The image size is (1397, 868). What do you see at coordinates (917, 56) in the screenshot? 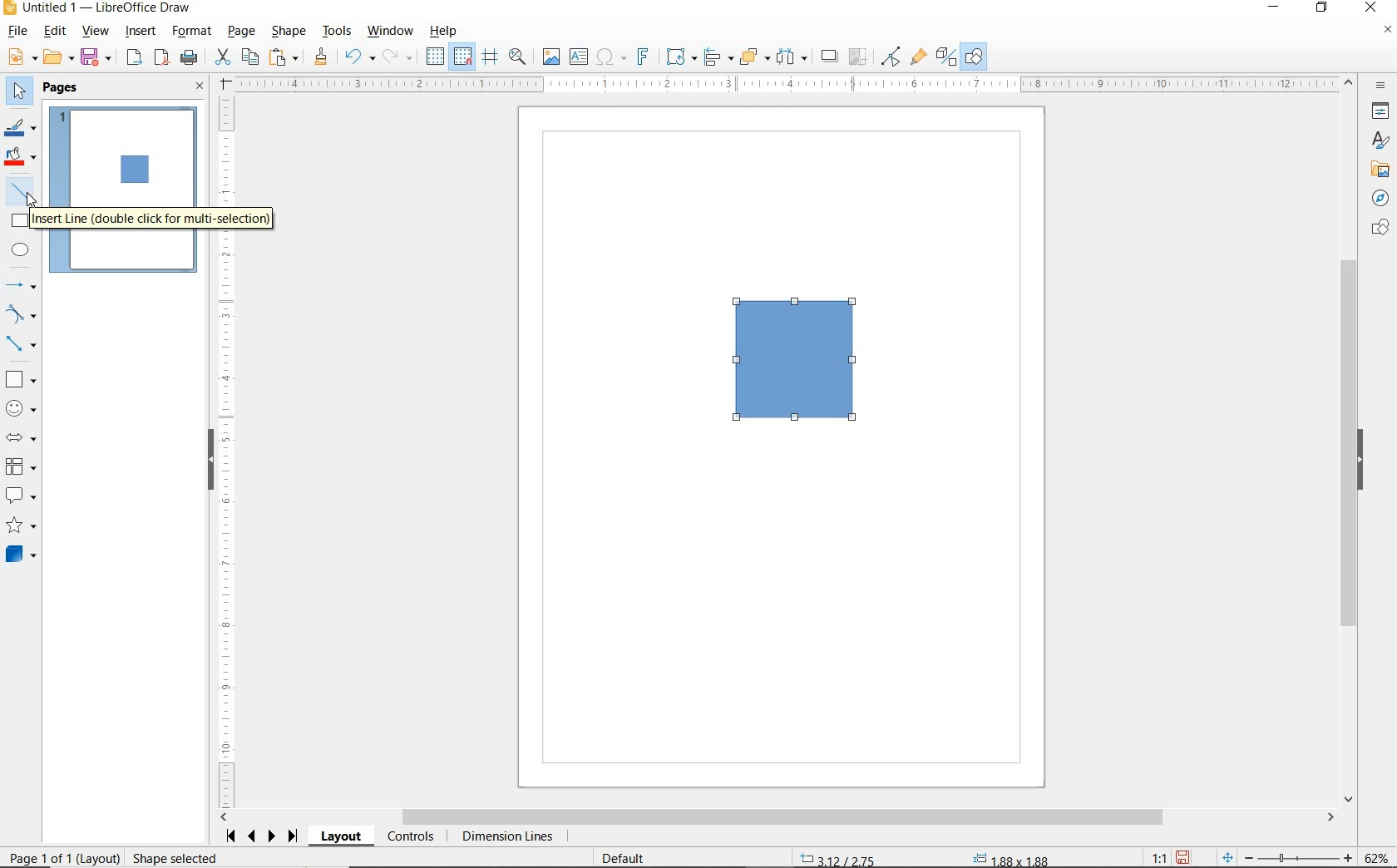
I see `SHOW GLUEPOINT FUNCTIONS` at bounding box center [917, 56].